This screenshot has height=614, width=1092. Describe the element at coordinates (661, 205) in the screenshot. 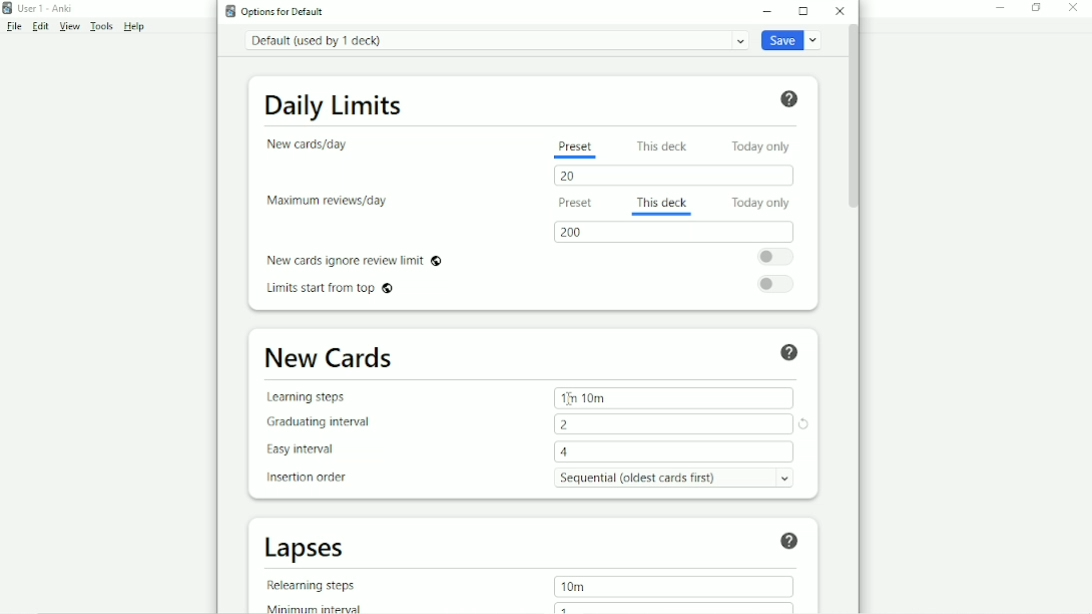

I see `This deck` at that location.